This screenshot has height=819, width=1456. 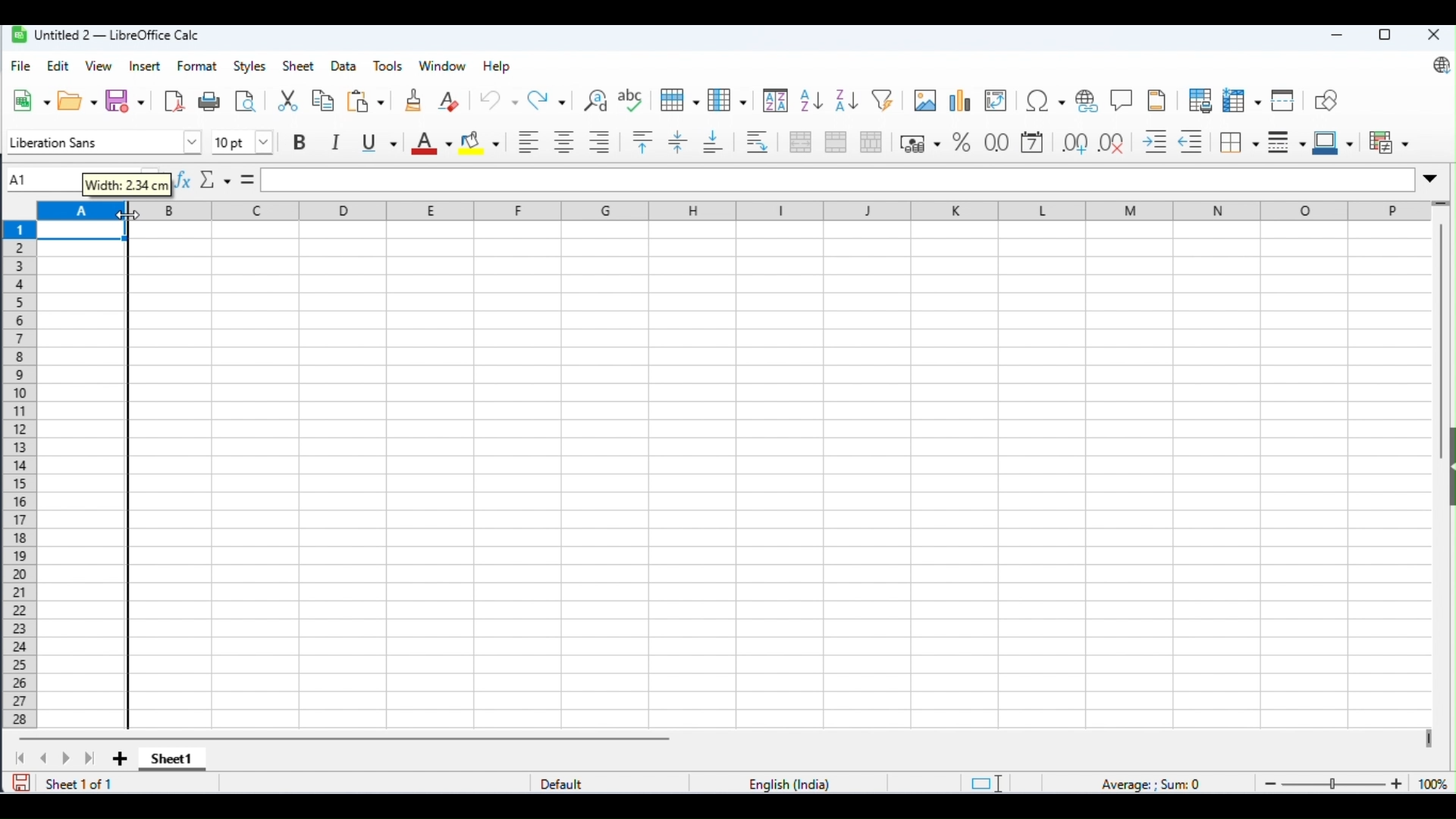 What do you see at coordinates (91, 759) in the screenshot?
I see `last sheet` at bounding box center [91, 759].